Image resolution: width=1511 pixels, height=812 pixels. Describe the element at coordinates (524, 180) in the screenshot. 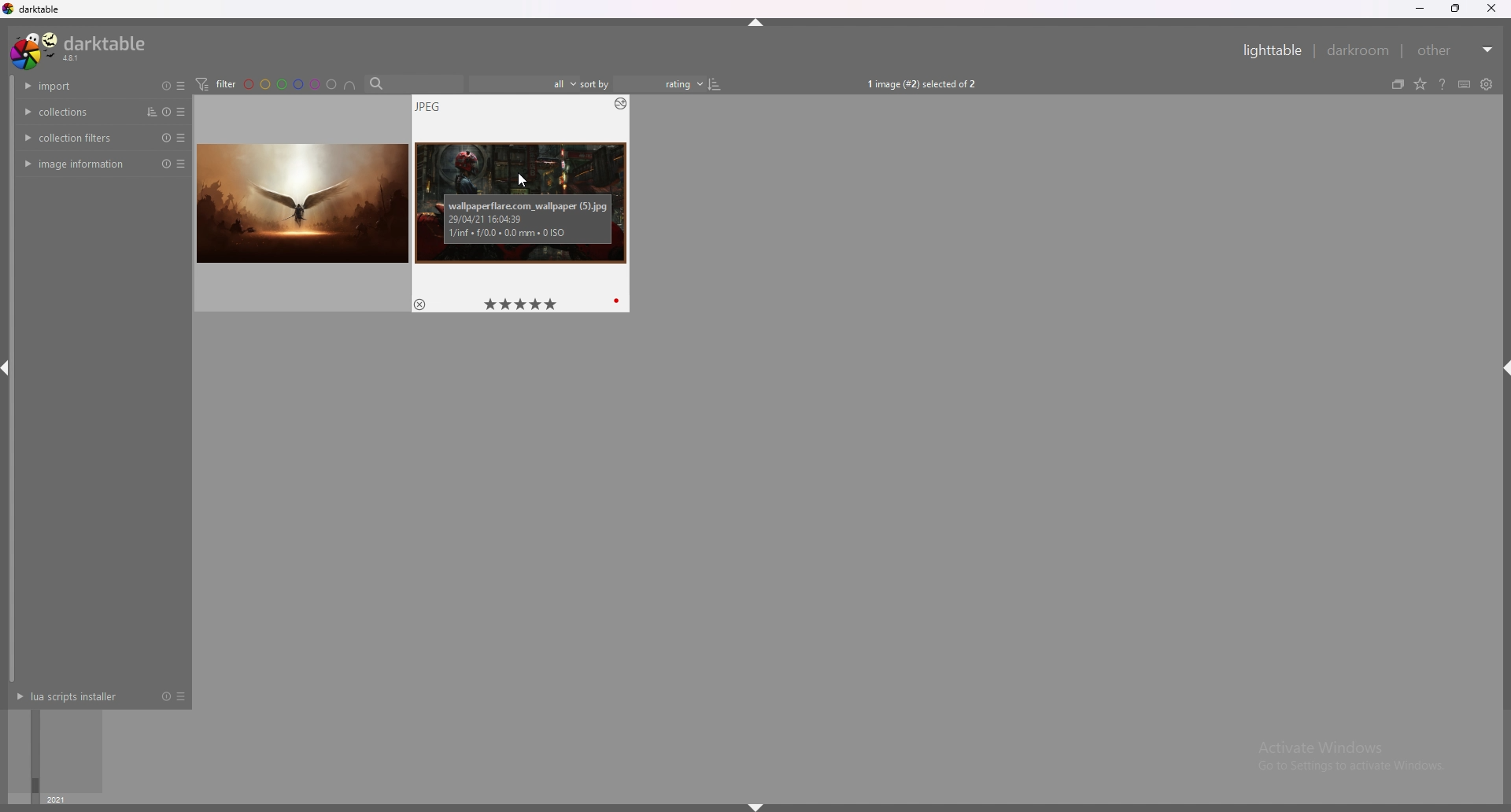

I see `cursor` at that location.